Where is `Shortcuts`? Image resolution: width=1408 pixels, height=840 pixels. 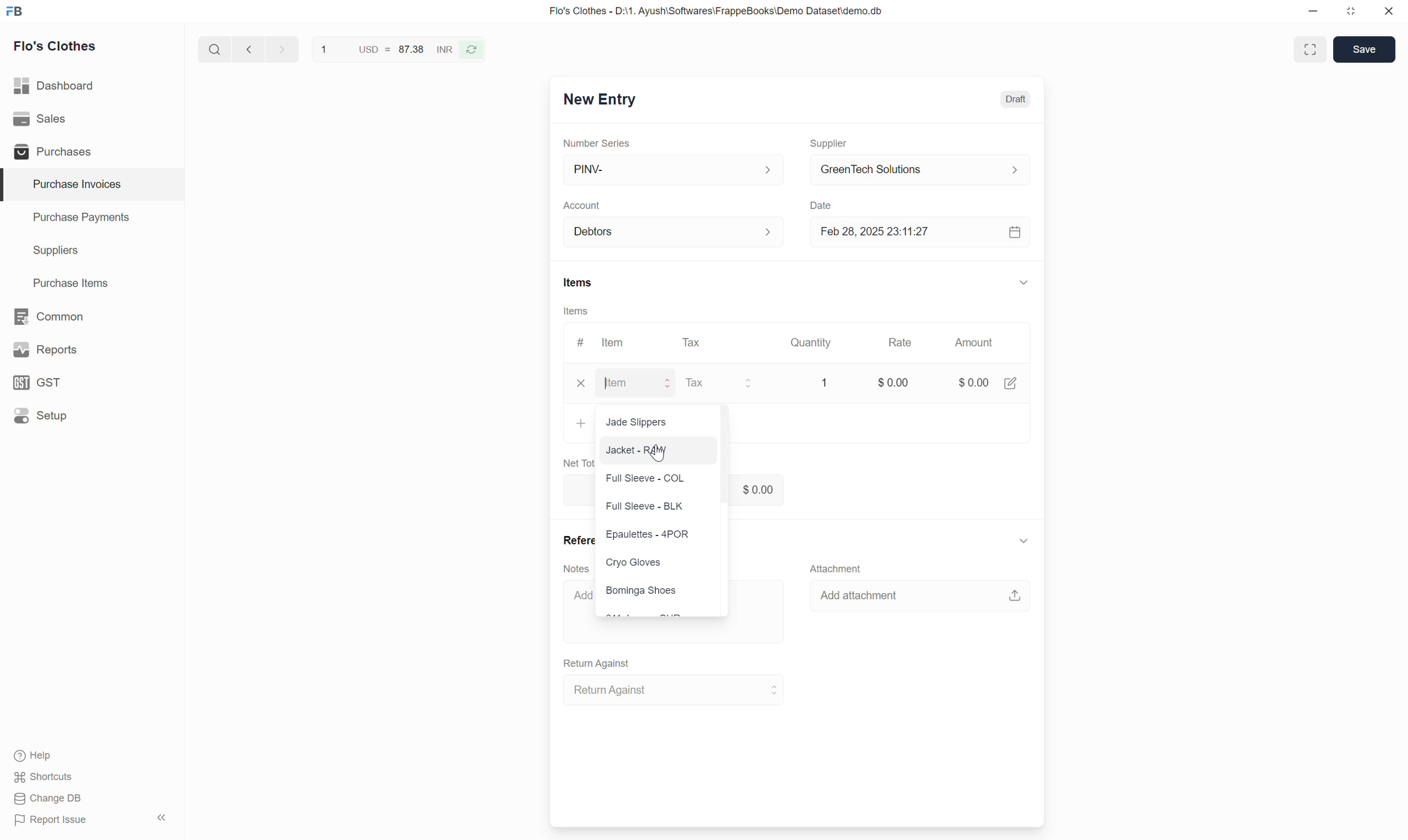
Shortcuts is located at coordinates (45, 777).